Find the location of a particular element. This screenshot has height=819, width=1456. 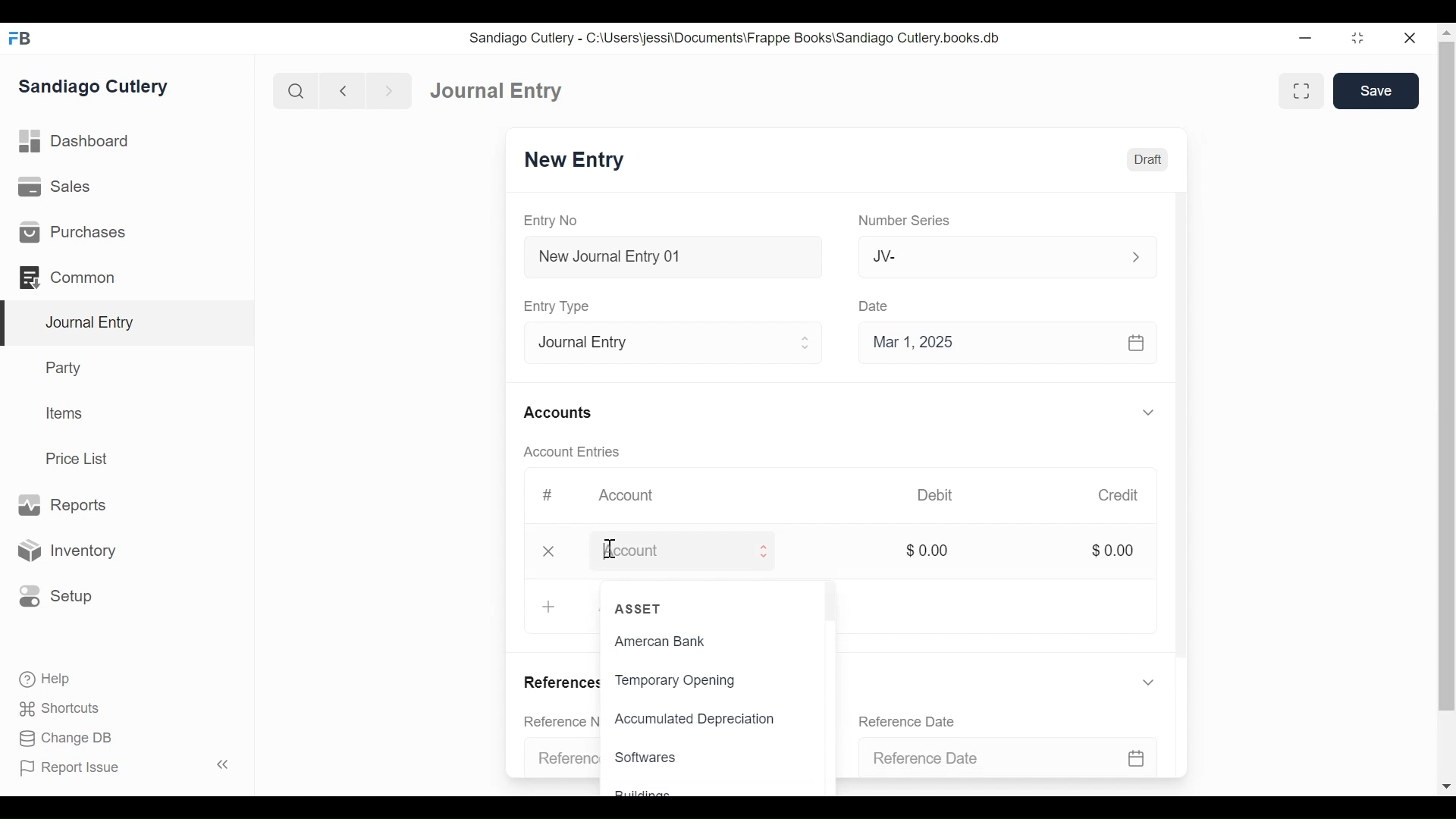

next is located at coordinates (384, 89).